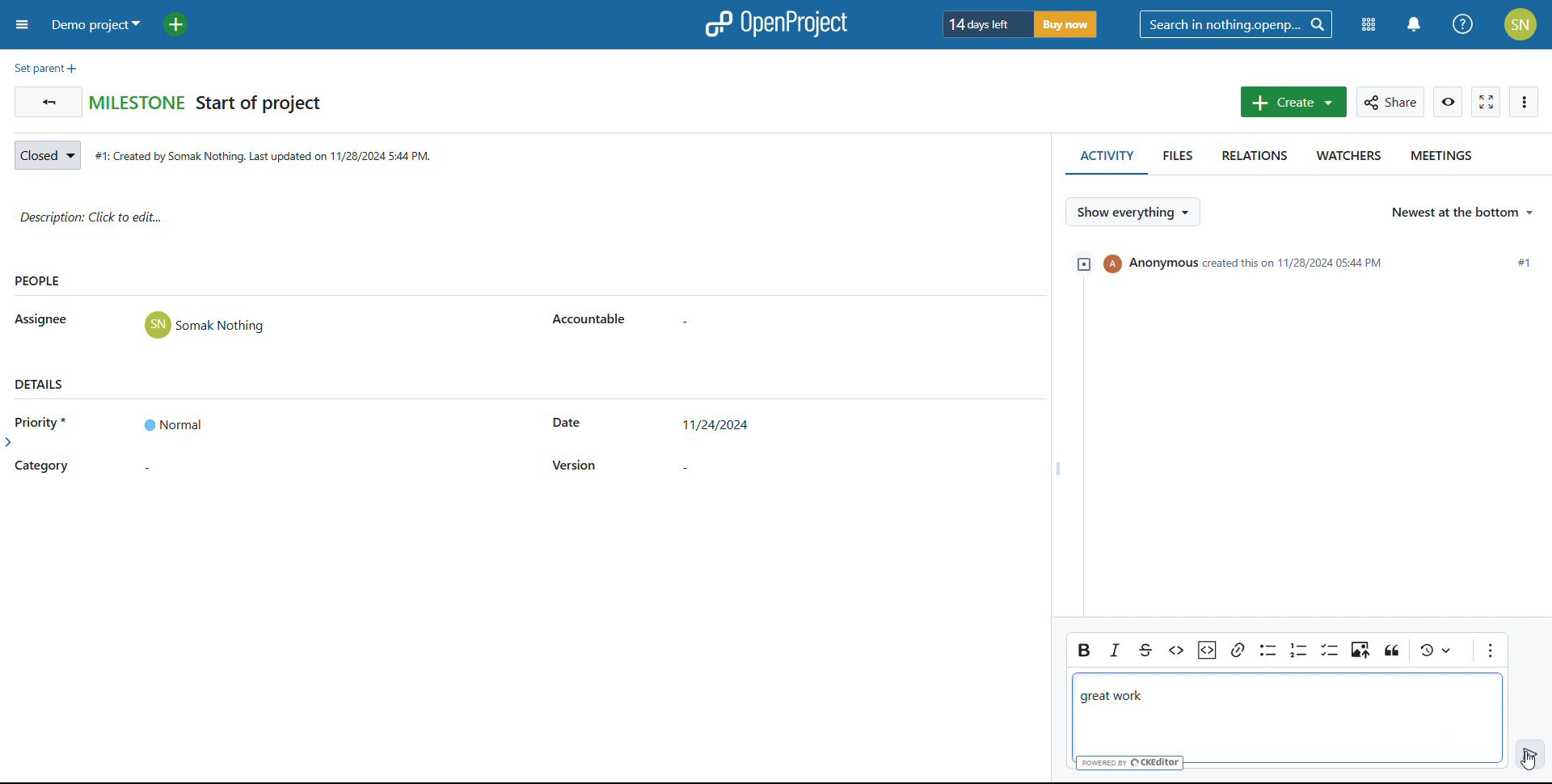 The height and width of the screenshot is (784, 1552). I want to click on to do list, so click(1330, 650).